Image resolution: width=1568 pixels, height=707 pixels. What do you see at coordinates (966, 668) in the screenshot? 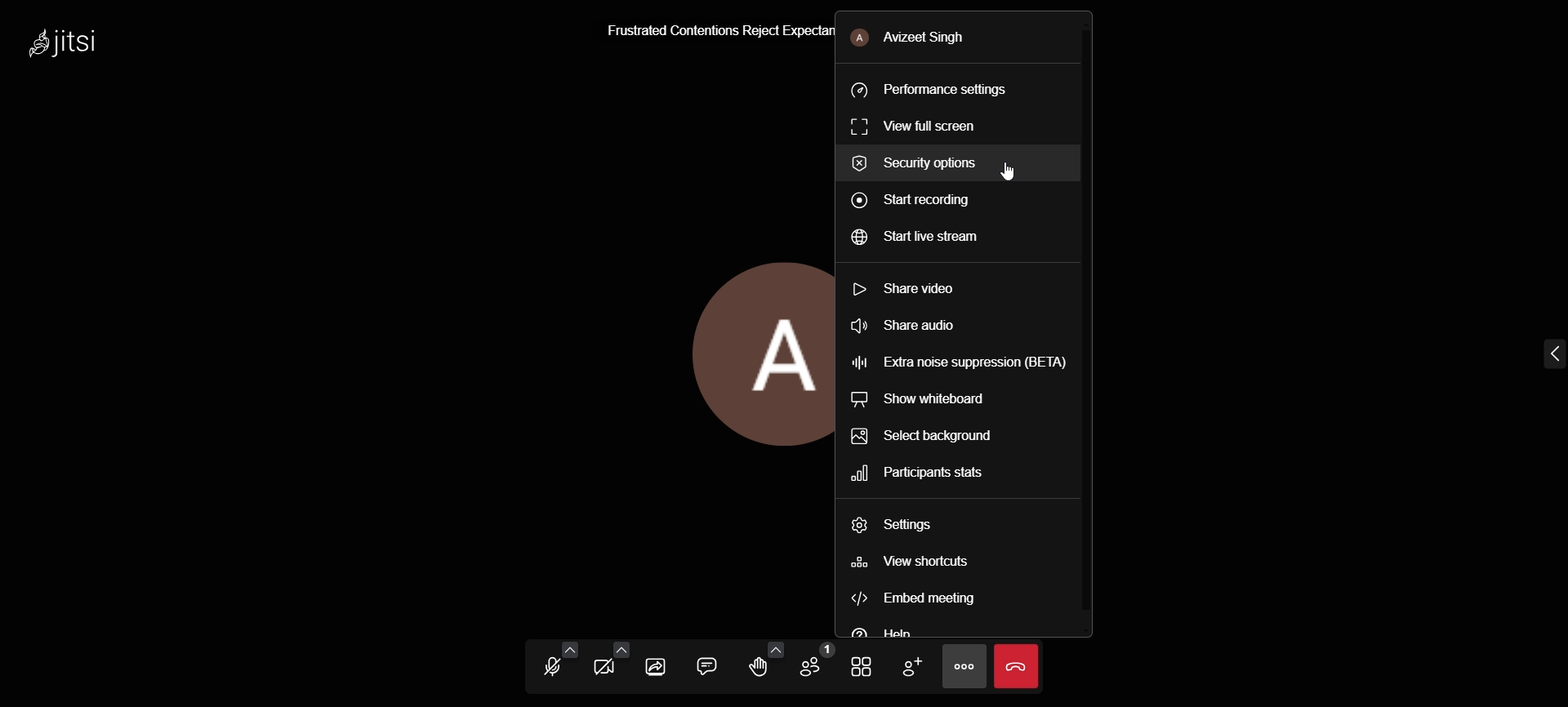
I see `more action` at bounding box center [966, 668].